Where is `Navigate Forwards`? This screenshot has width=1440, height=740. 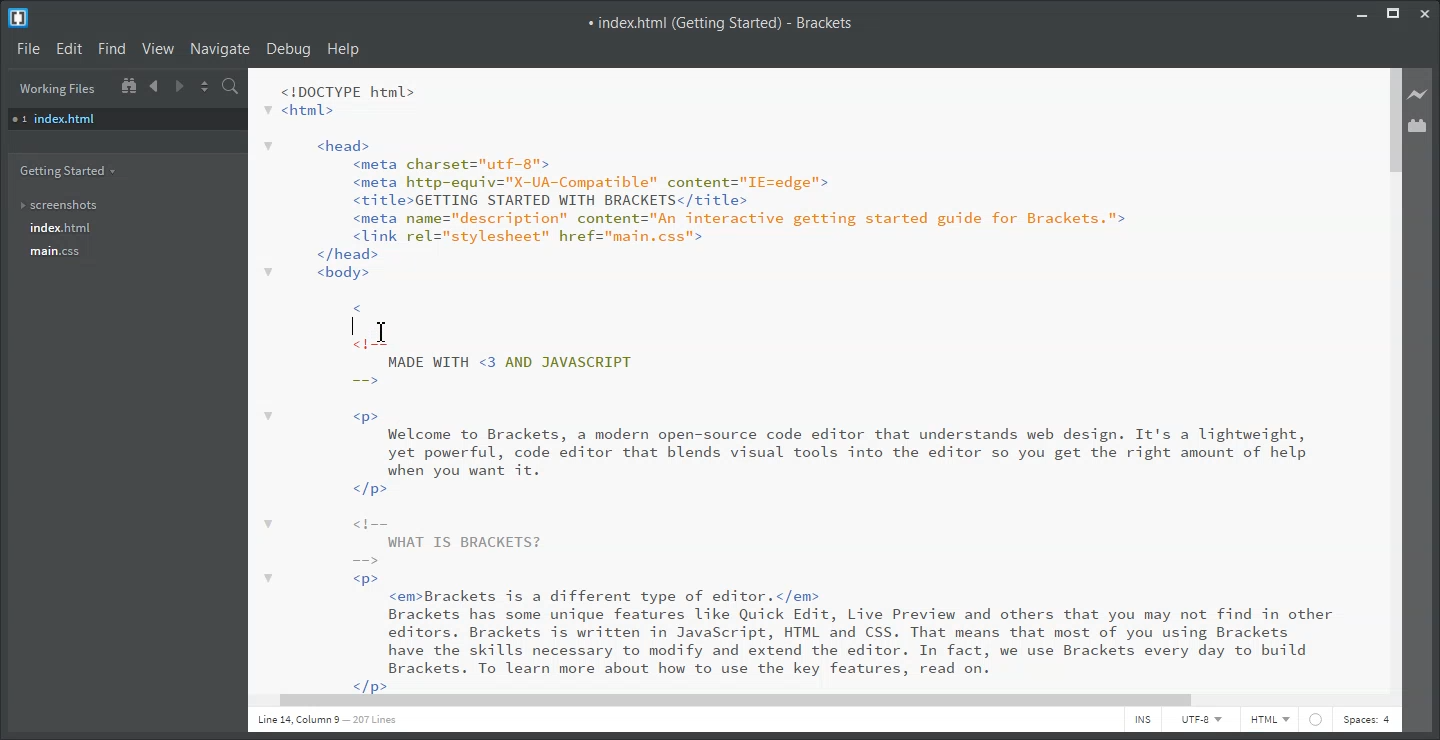 Navigate Forwards is located at coordinates (180, 86).